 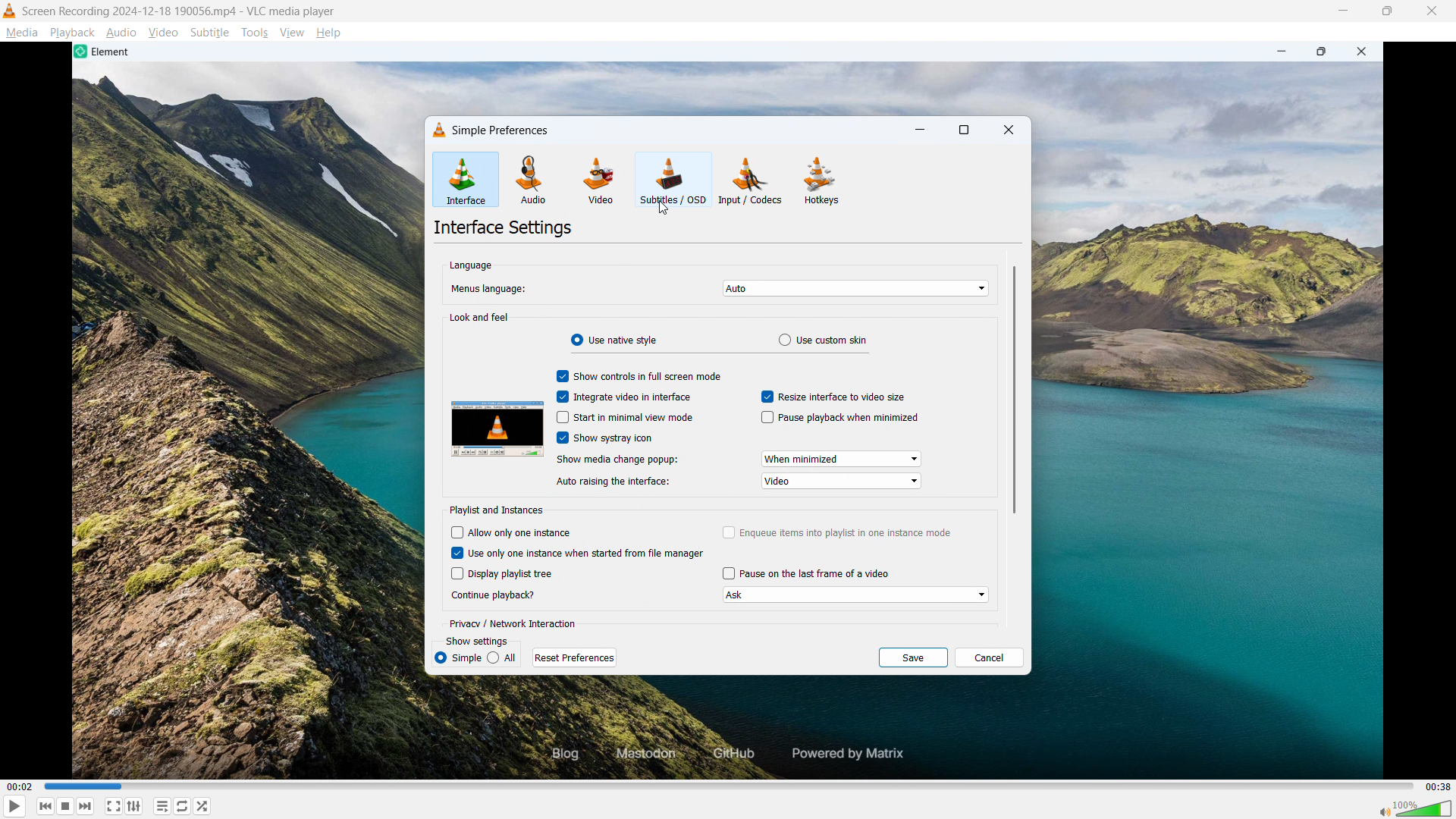 I want to click on time bar, so click(x=726, y=786).